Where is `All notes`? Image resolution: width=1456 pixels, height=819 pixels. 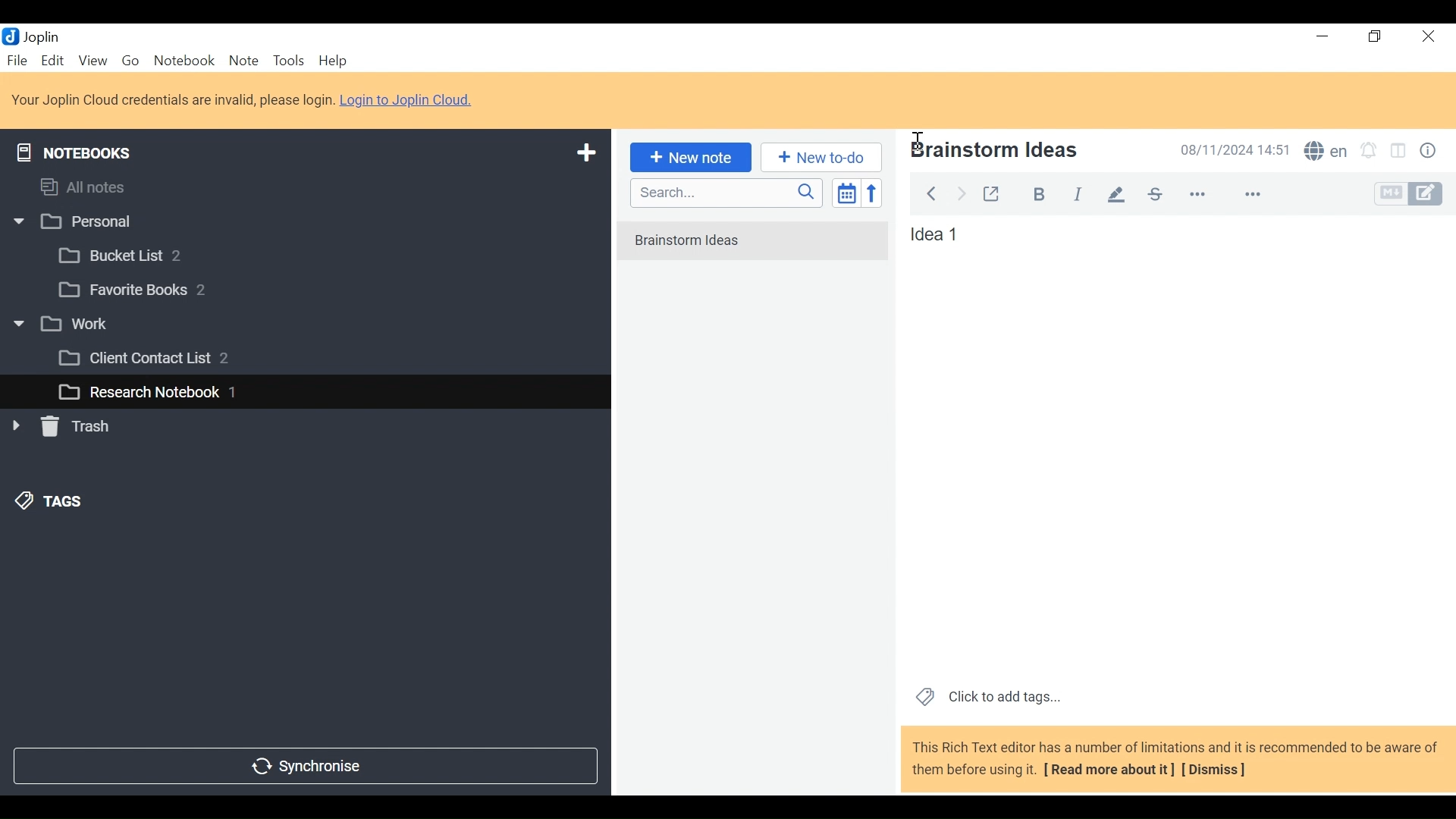 All notes is located at coordinates (97, 184).